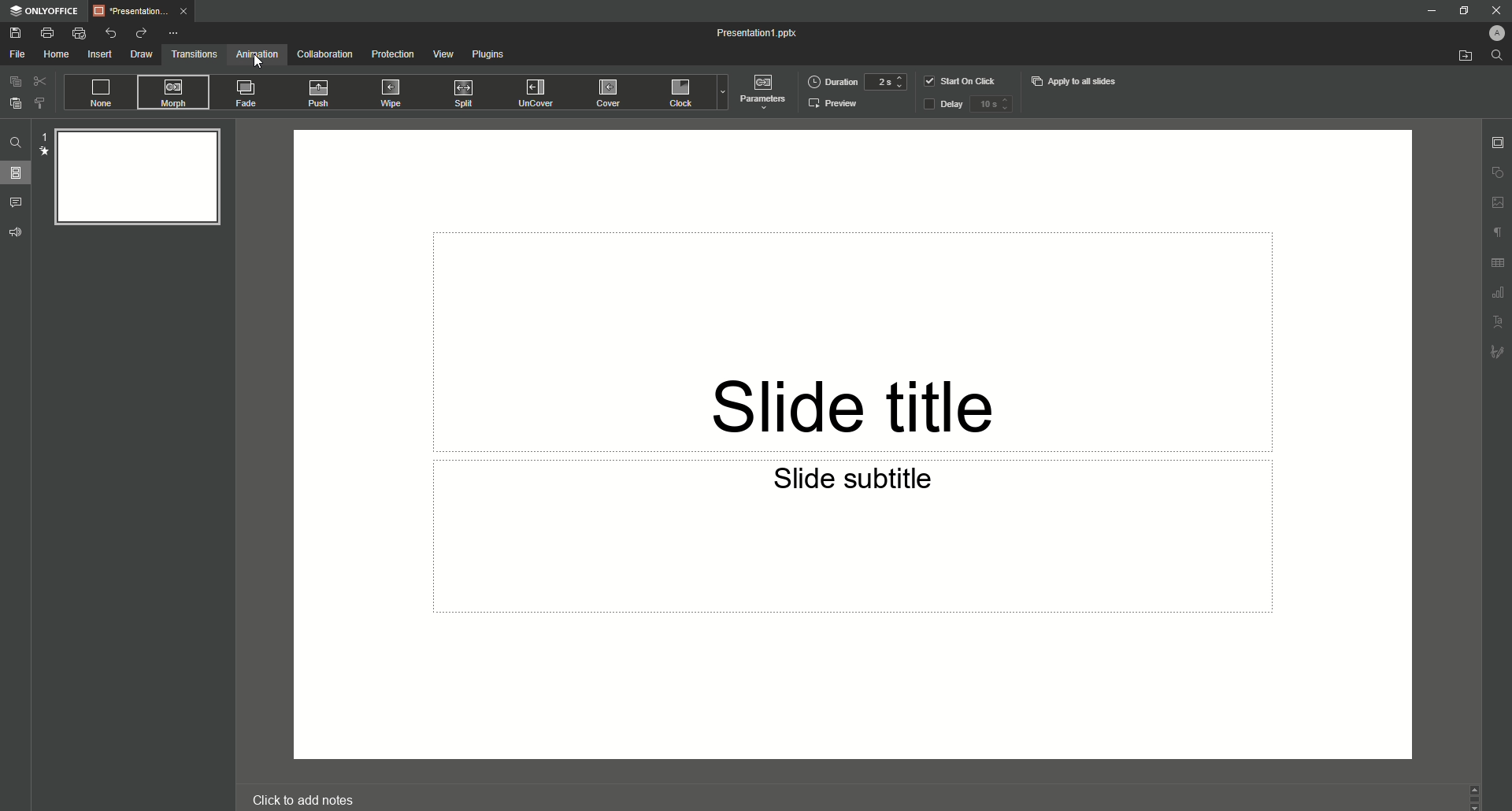 This screenshot has width=1512, height=811. What do you see at coordinates (393, 95) in the screenshot?
I see `Wipe` at bounding box center [393, 95].